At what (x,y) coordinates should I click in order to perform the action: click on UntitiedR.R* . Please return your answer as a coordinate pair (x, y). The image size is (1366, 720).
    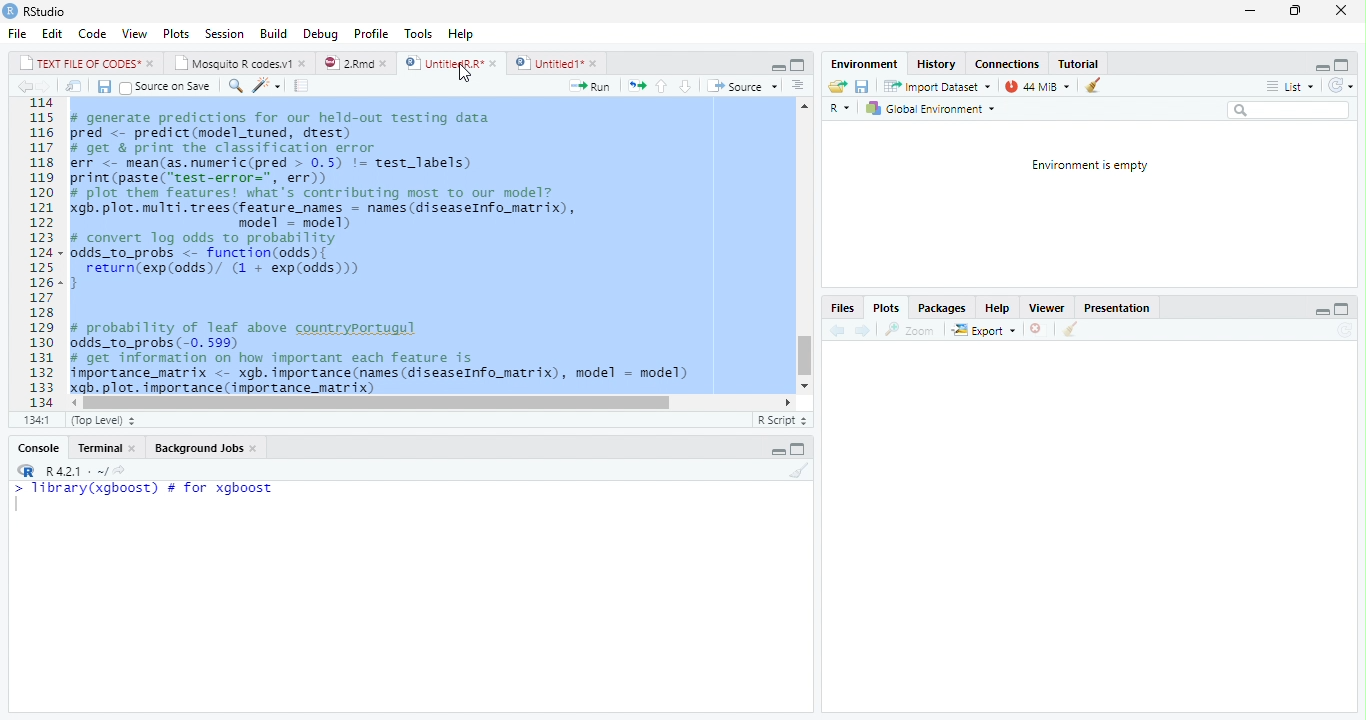
    Looking at the image, I should click on (451, 62).